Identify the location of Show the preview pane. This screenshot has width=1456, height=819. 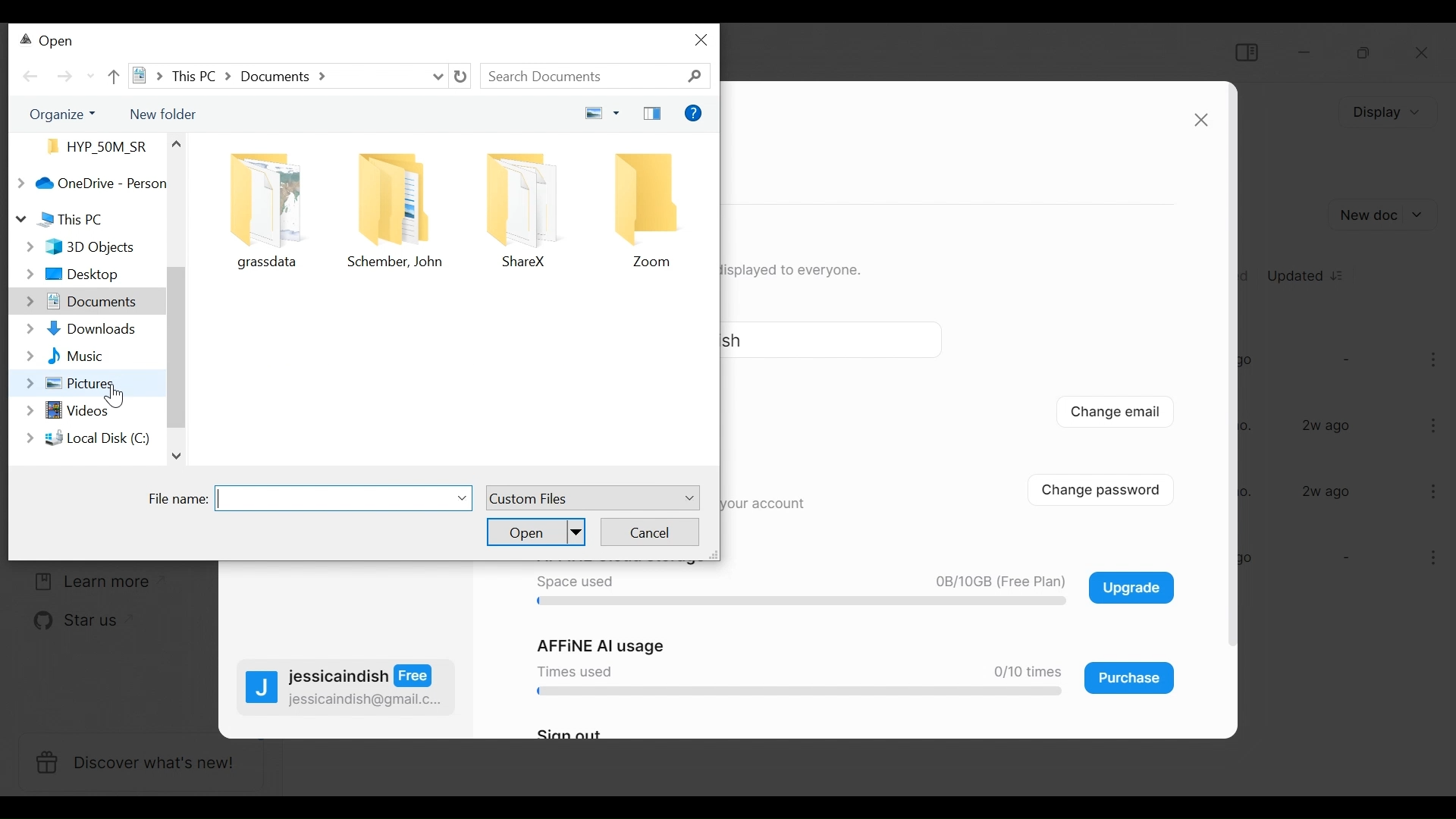
(652, 115).